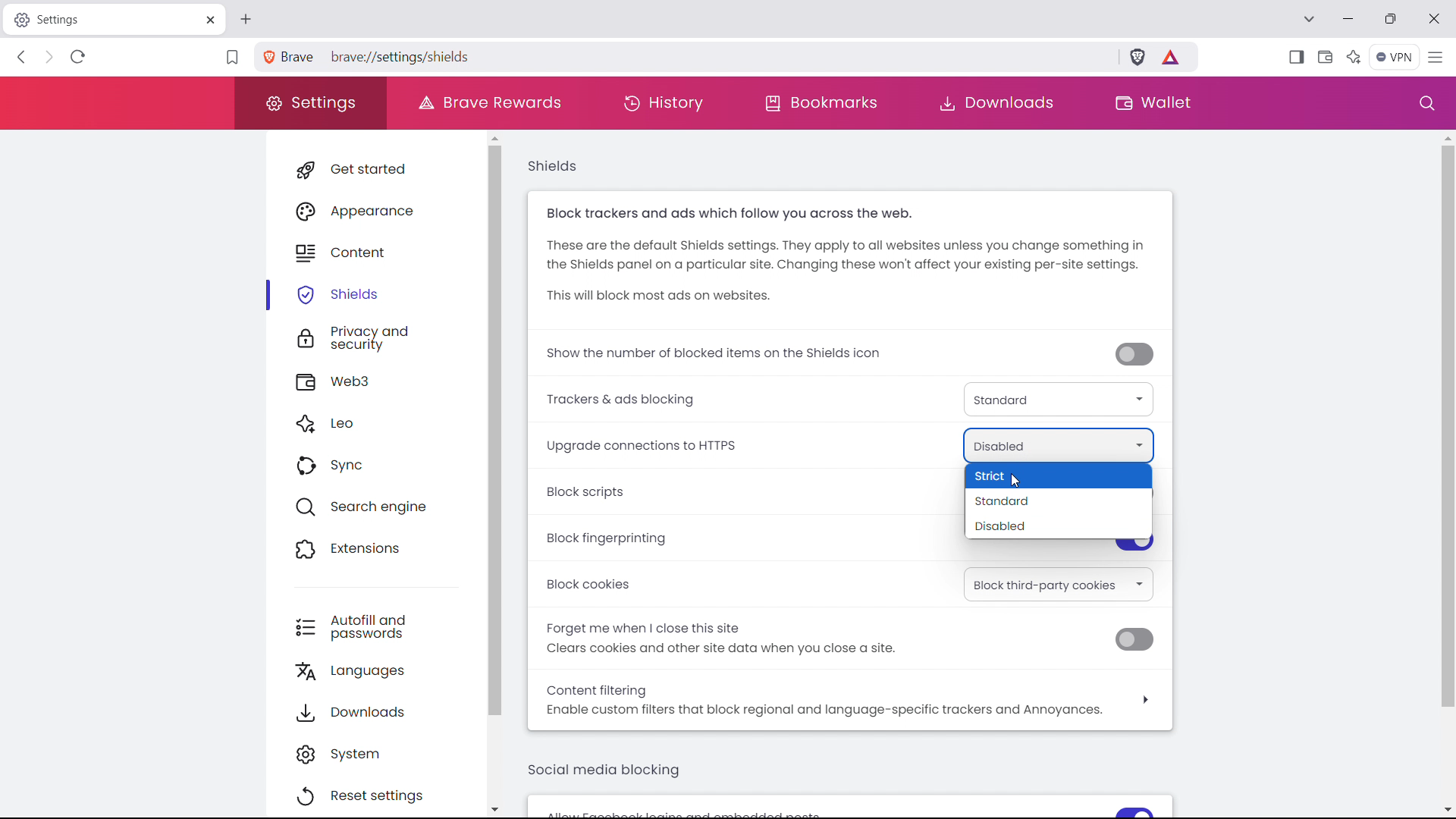 Image resolution: width=1456 pixels, height=819 pixels. I want to click on privacy and security, so click(384, 337).